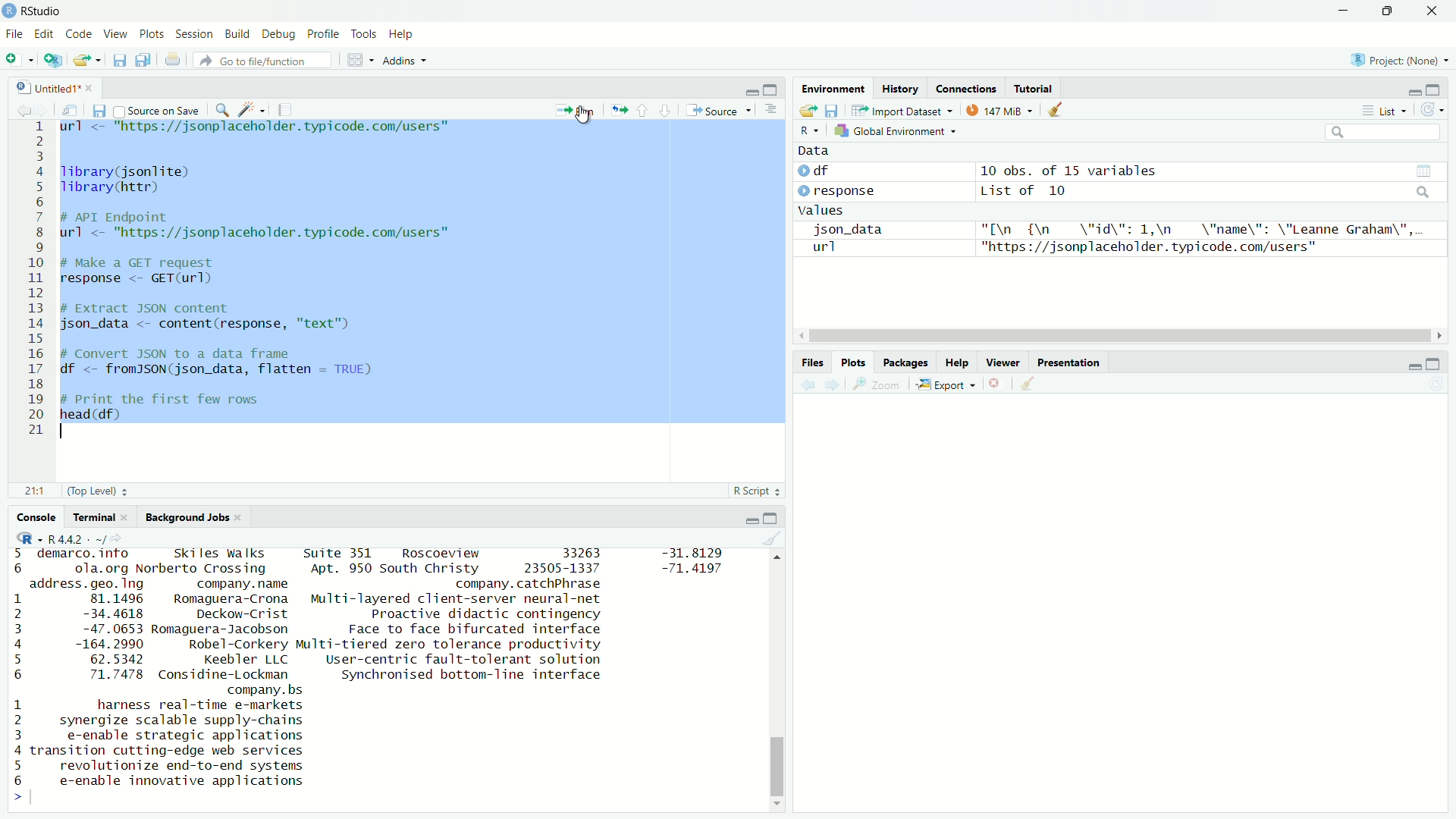 This screenshot has width=1456, height=819. Describe the element at coordinates (361, 60) in the screenshot. I see `Workplace panes` at that location.